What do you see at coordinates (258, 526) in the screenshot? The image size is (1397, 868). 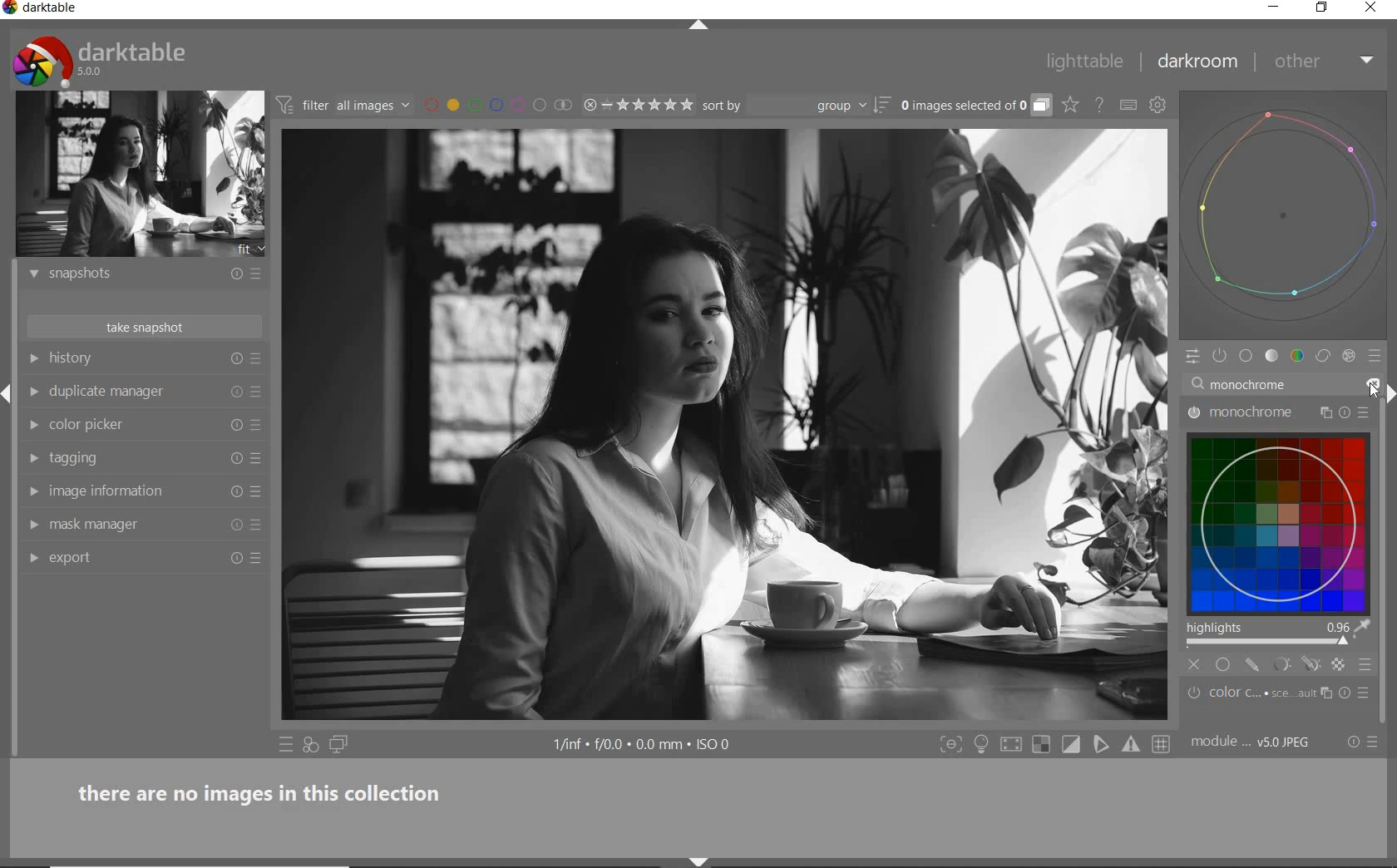 I see `preset and preferences` at bounding box center [258, 526].